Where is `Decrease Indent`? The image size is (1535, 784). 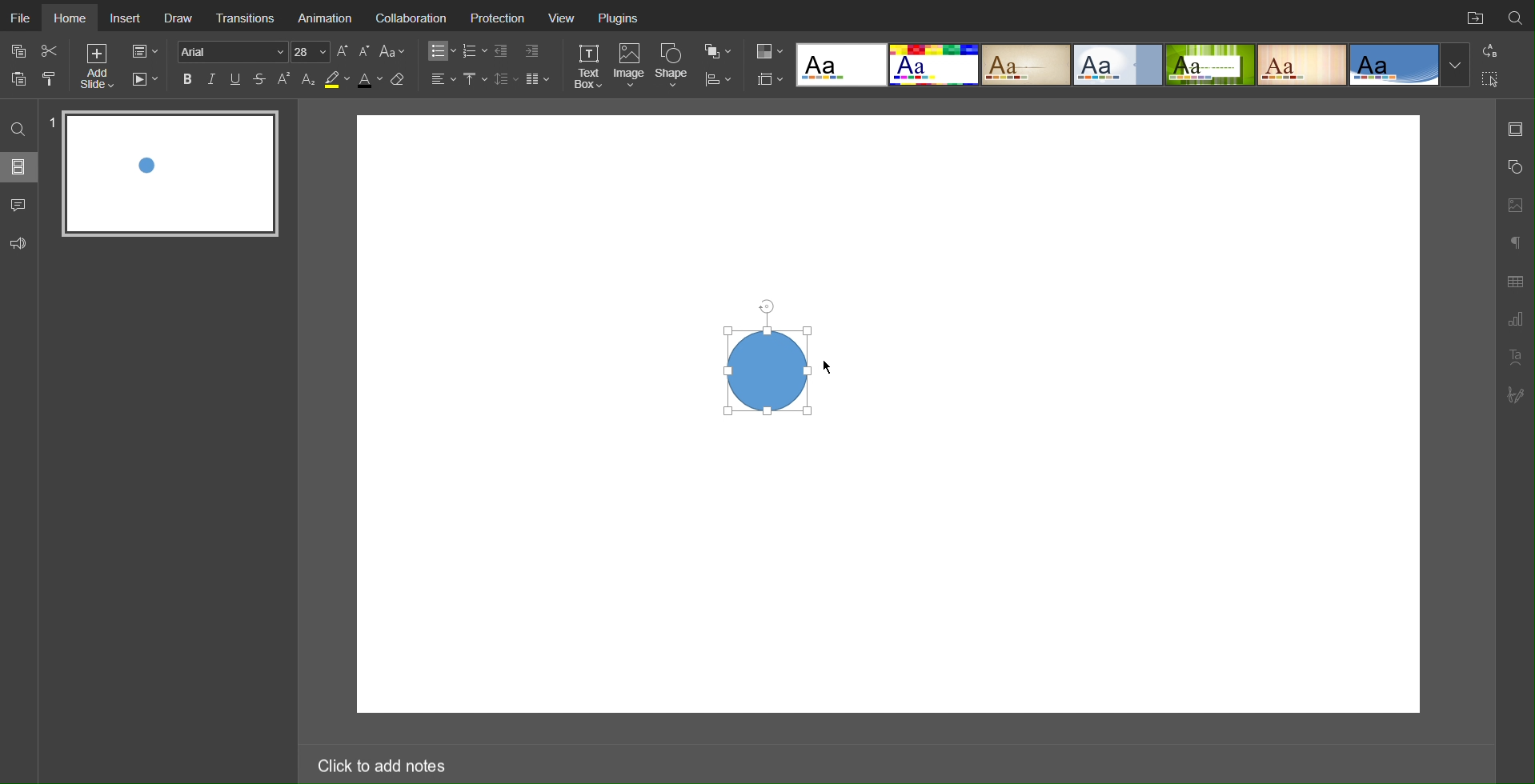
Decrease Indent is located at coordinates (503, 51).